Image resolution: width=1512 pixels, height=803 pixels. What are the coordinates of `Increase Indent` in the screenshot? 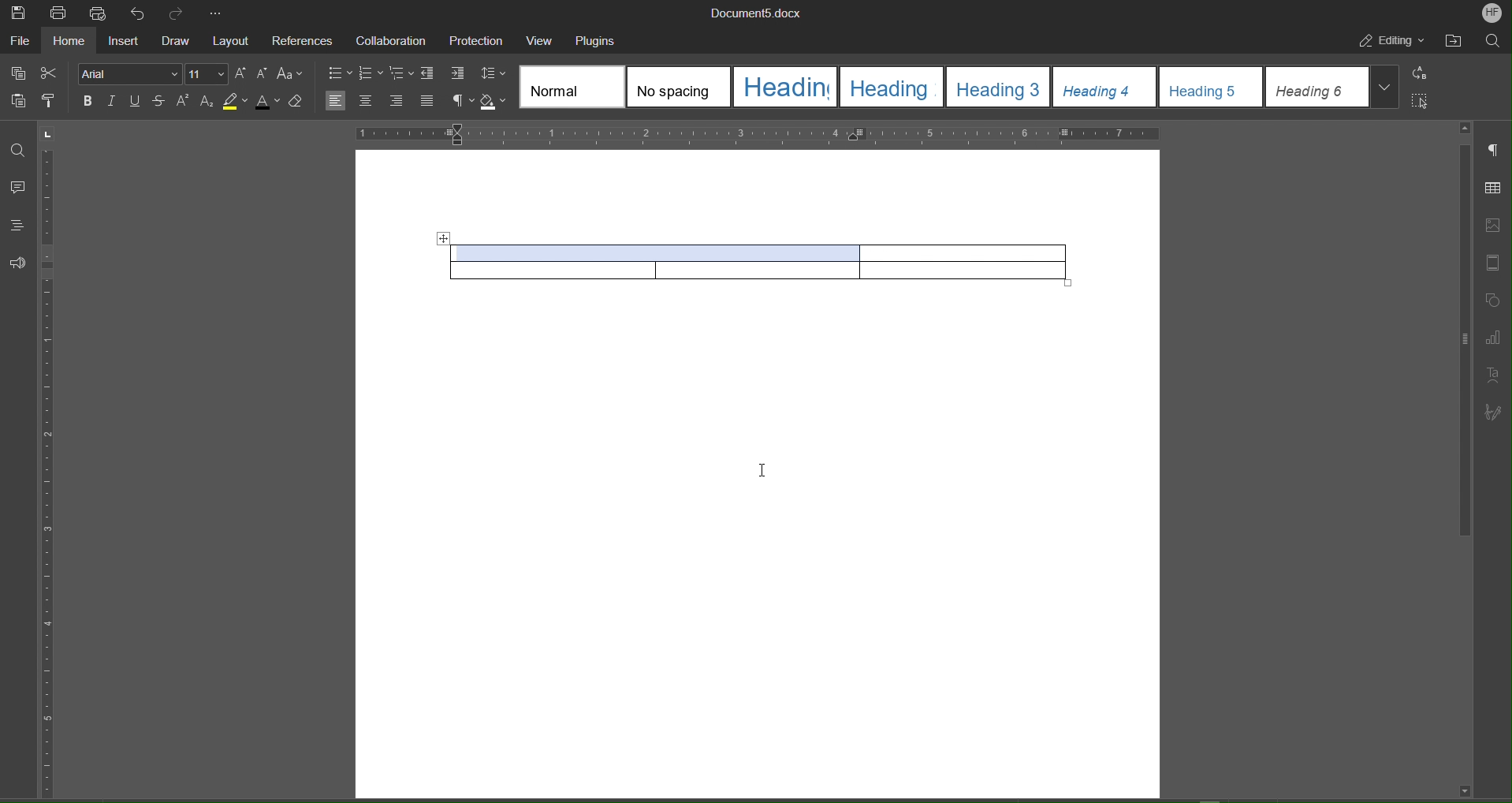 It's located at (459, 74).